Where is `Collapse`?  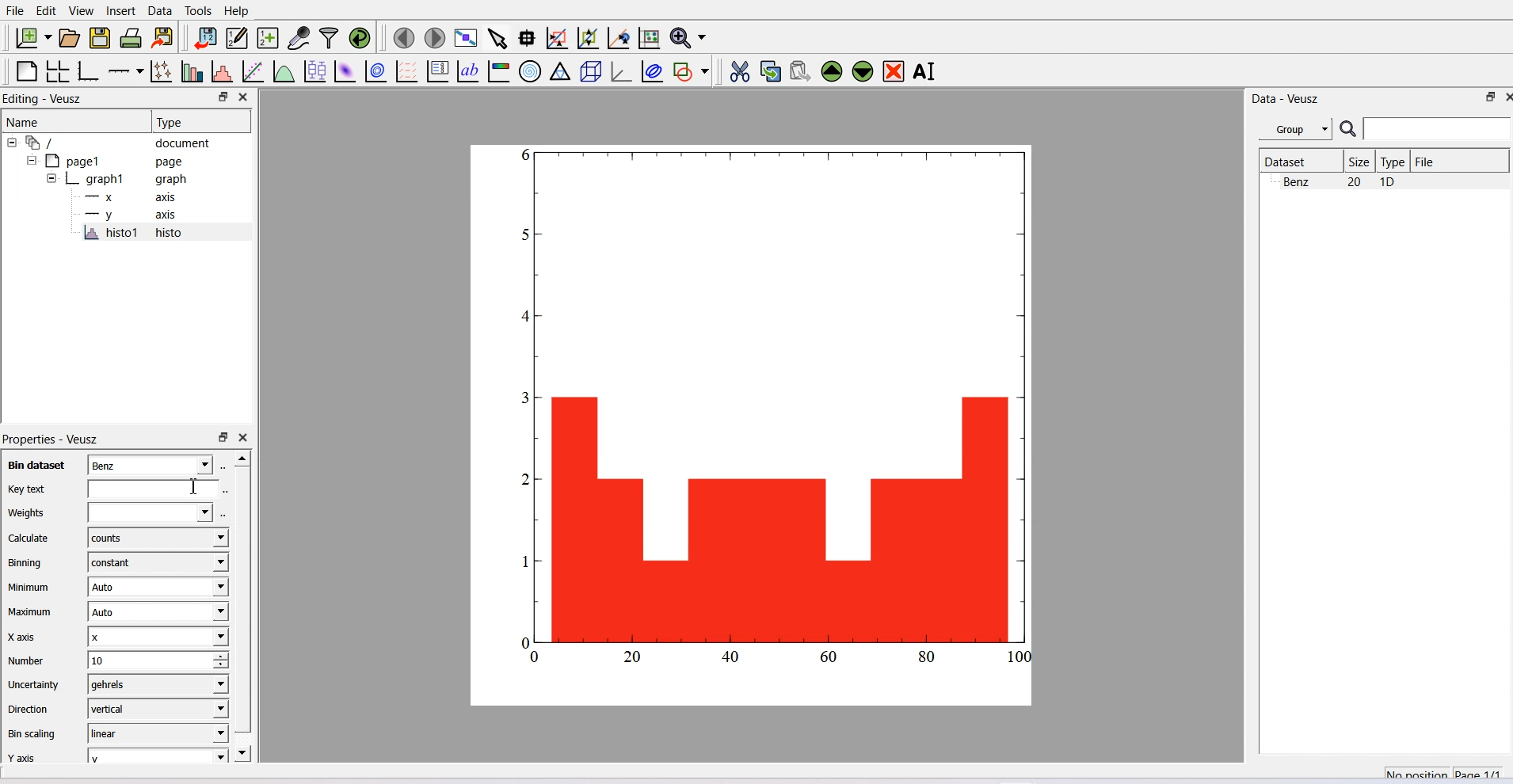
Collapse is located at coordinates (13, 143).